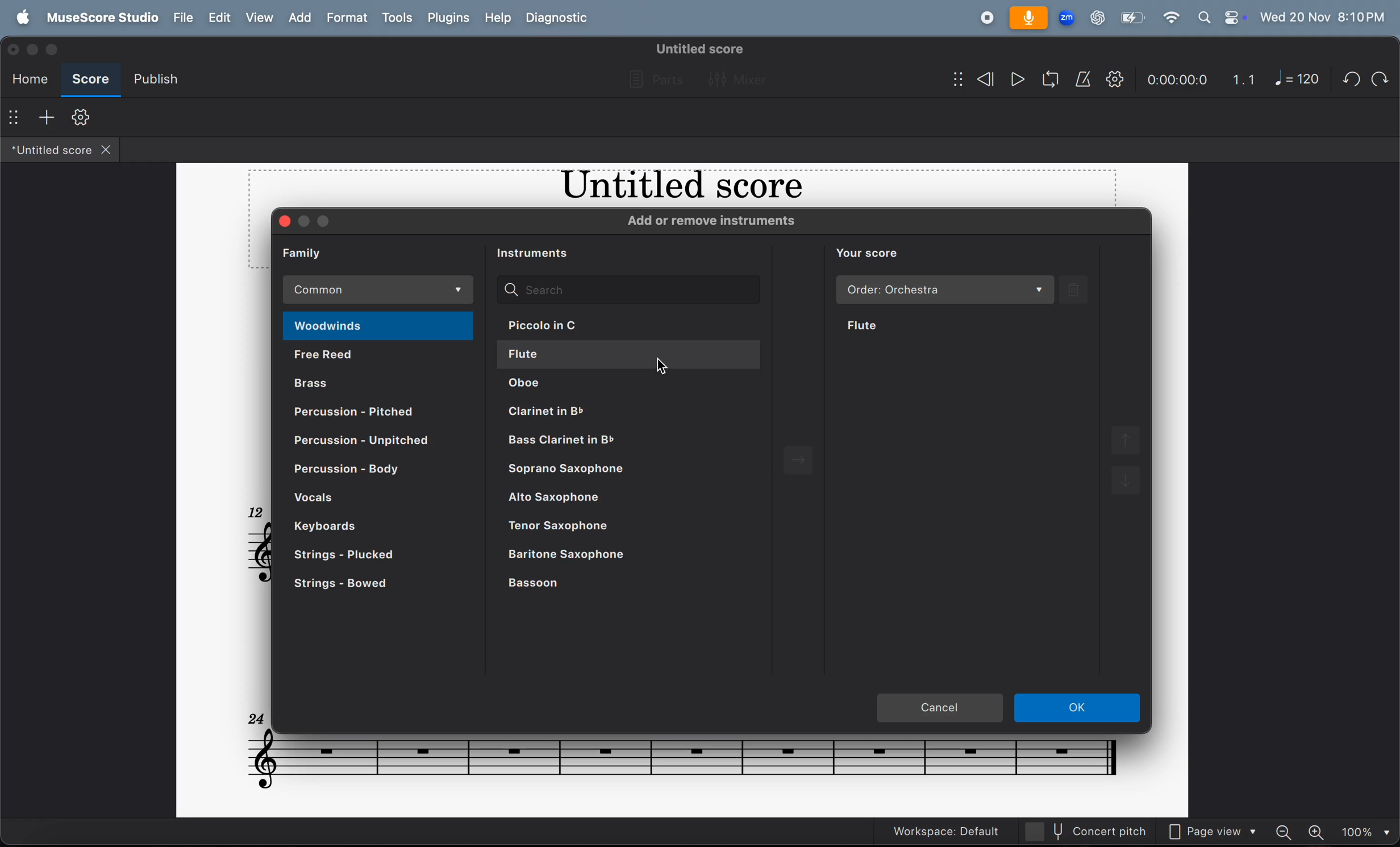  What do you see at coordinates (1078, 707) in the screenshot?
I see `ok` at bounding box center [1078, 707].